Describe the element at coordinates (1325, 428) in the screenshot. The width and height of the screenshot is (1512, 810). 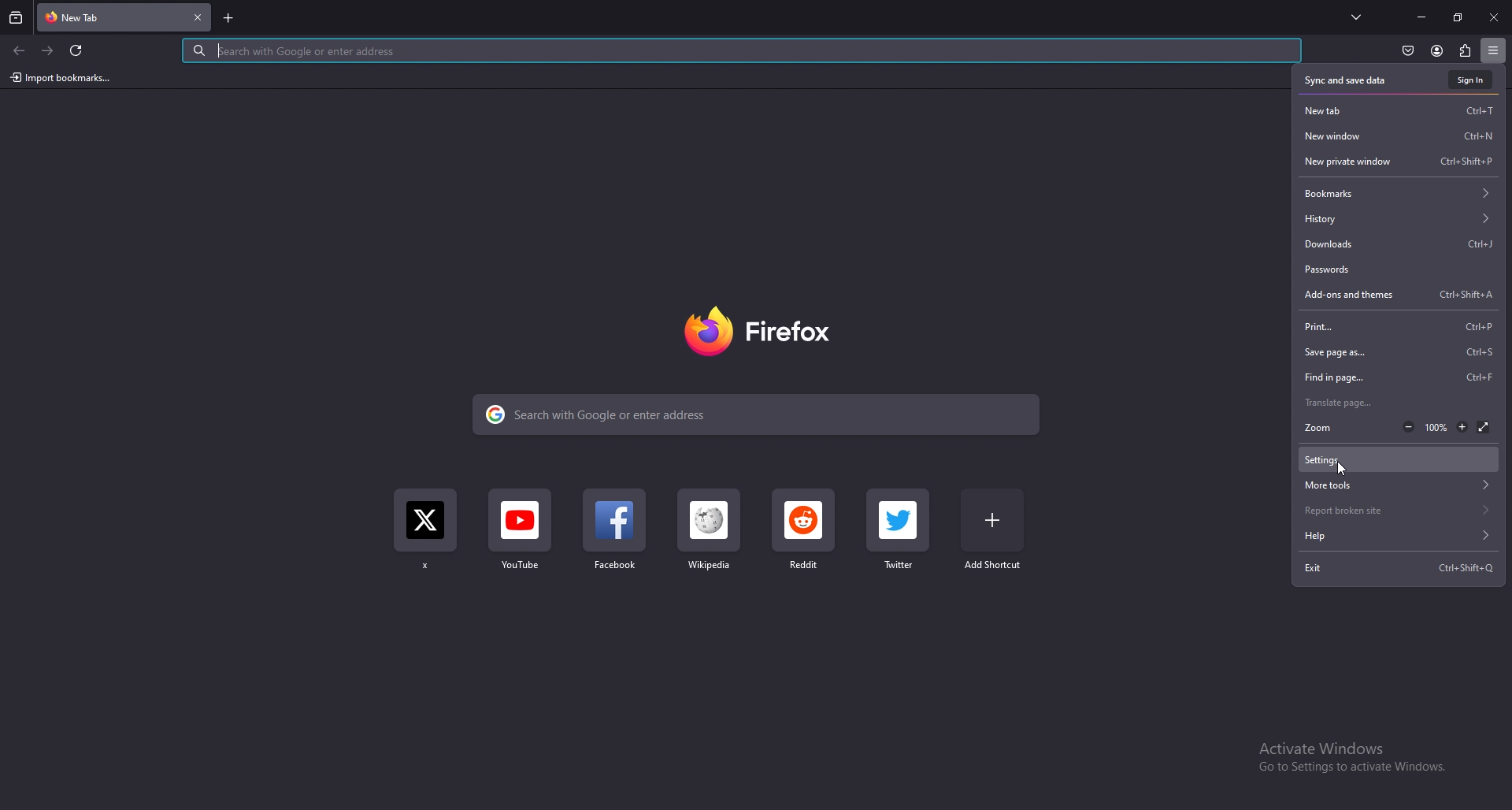
I see `zoom` at that location.